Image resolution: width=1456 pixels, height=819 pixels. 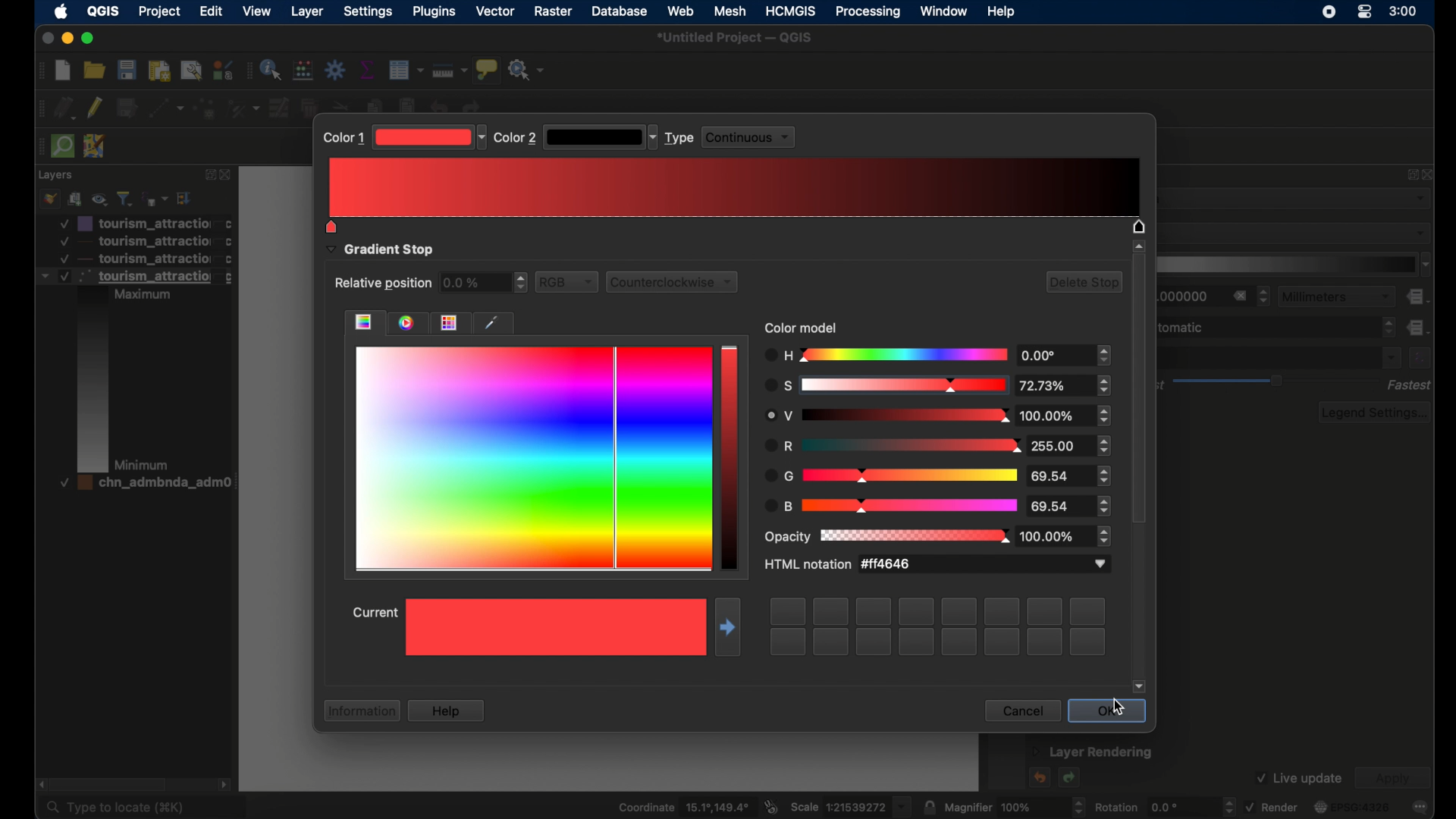 I want to click on close, so click(x=227, y=177).